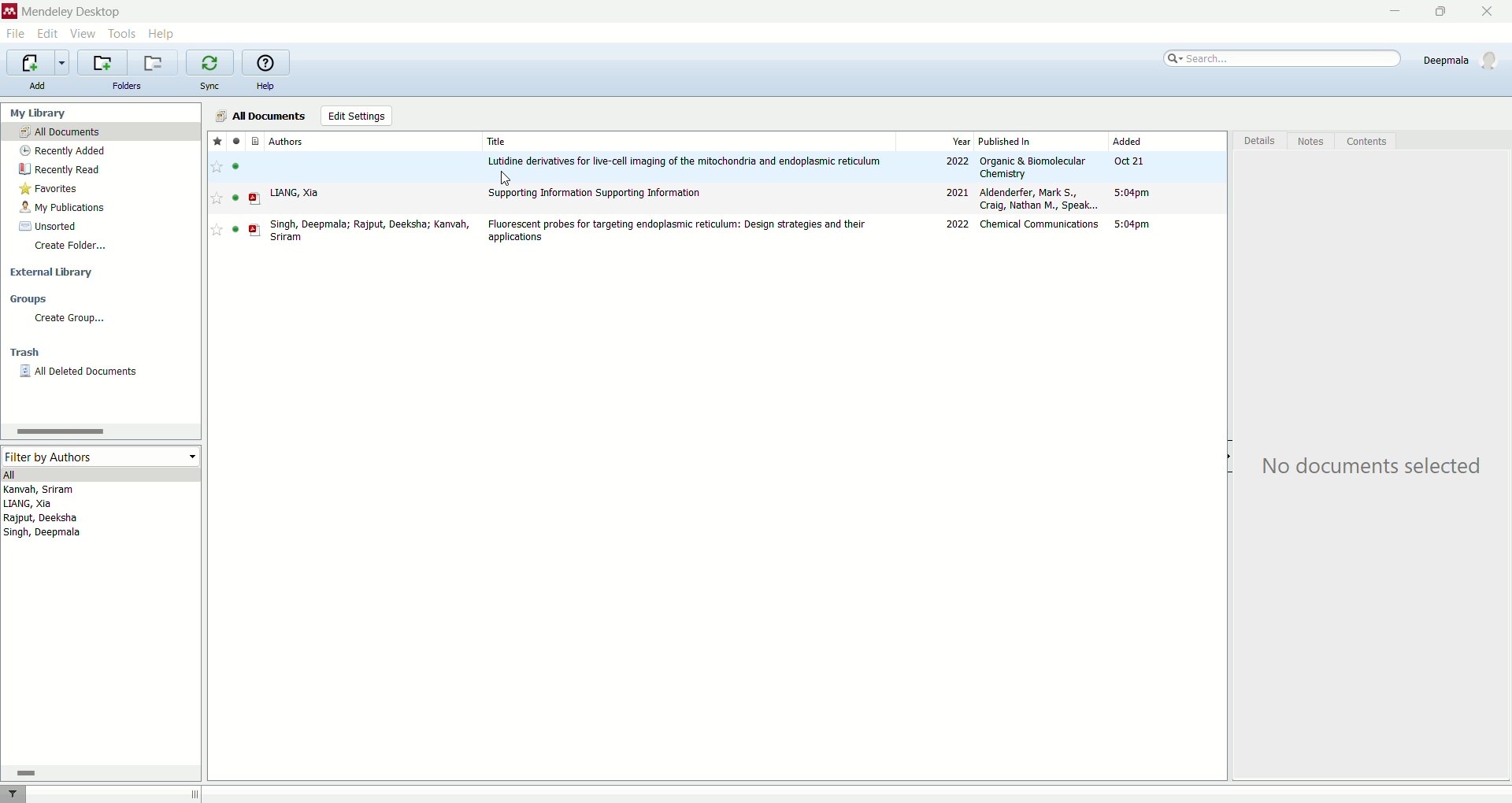 Image resolution: width=1512 pixels, height=803 pixels. What do you see at coordinates (69, 320) in the screenshot?
I see `create group` at bounding box center [69, 320].